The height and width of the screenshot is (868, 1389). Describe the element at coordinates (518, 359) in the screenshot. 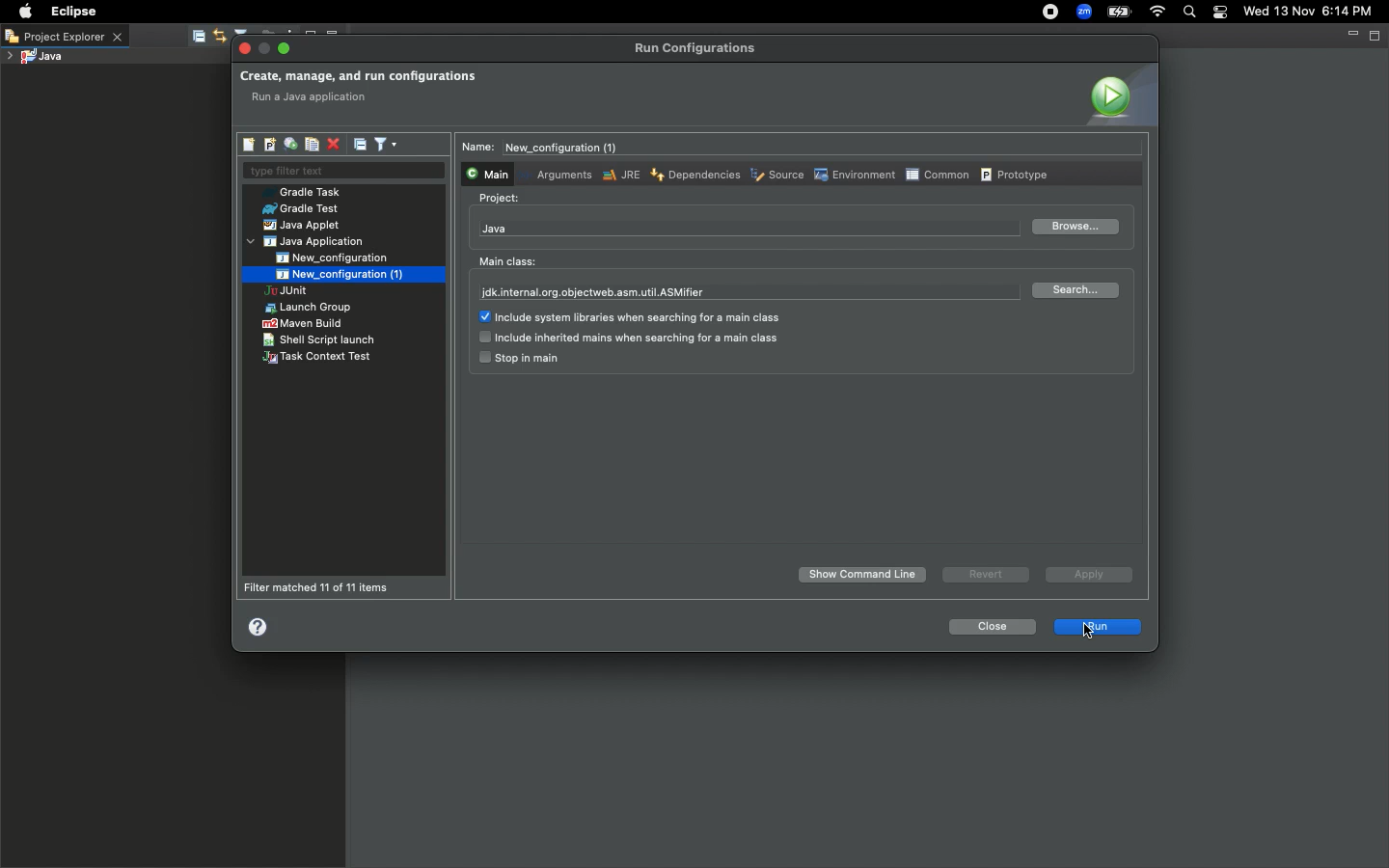

I see `stop in main` at that location.